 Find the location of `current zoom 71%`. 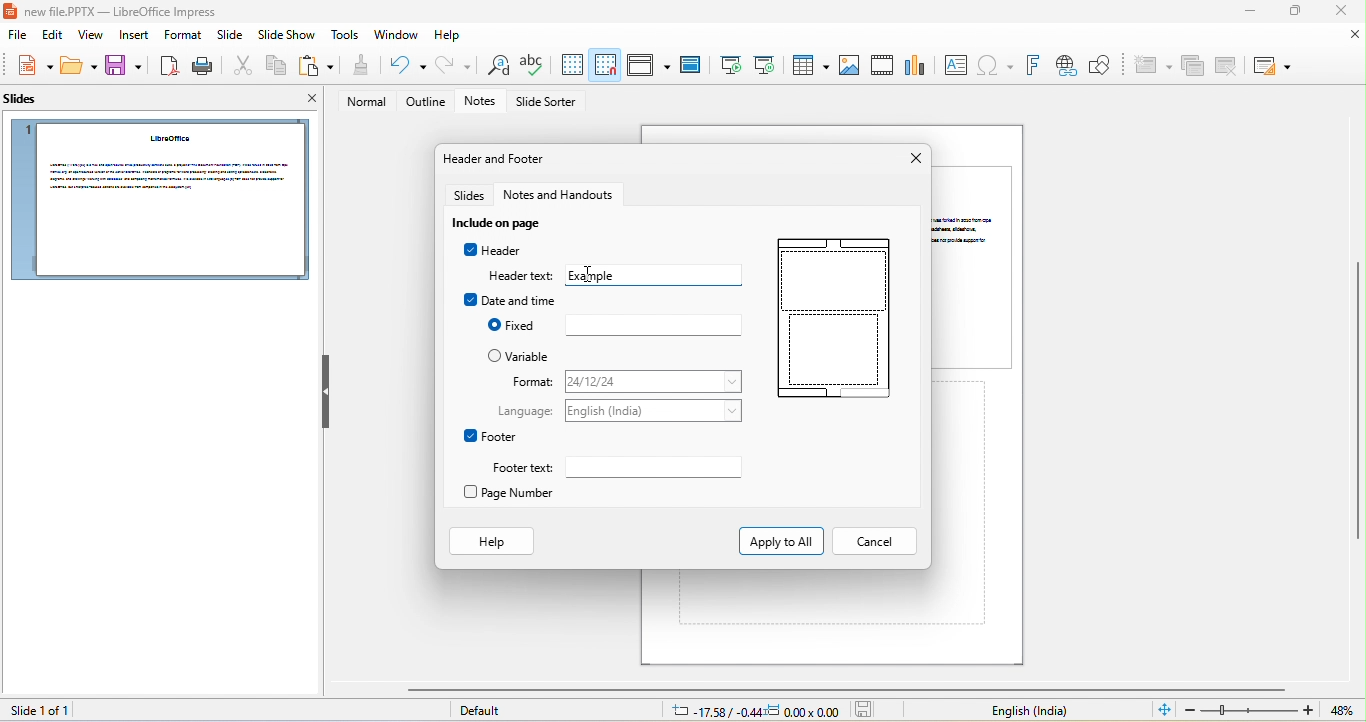

current zoom 71% is located at coordinates (1347, 711).